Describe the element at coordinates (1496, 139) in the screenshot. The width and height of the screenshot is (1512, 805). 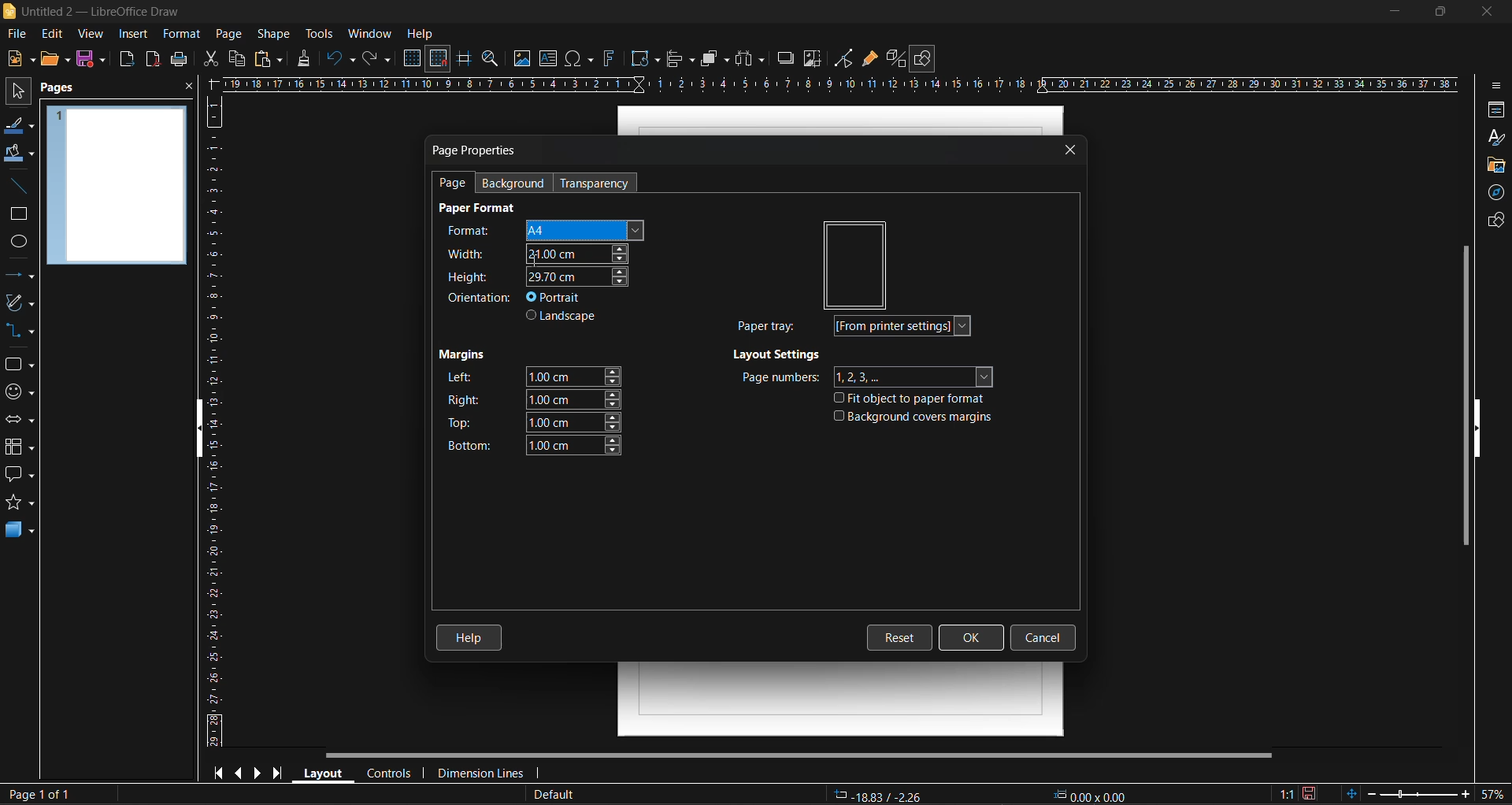
I see `styles` at that location.